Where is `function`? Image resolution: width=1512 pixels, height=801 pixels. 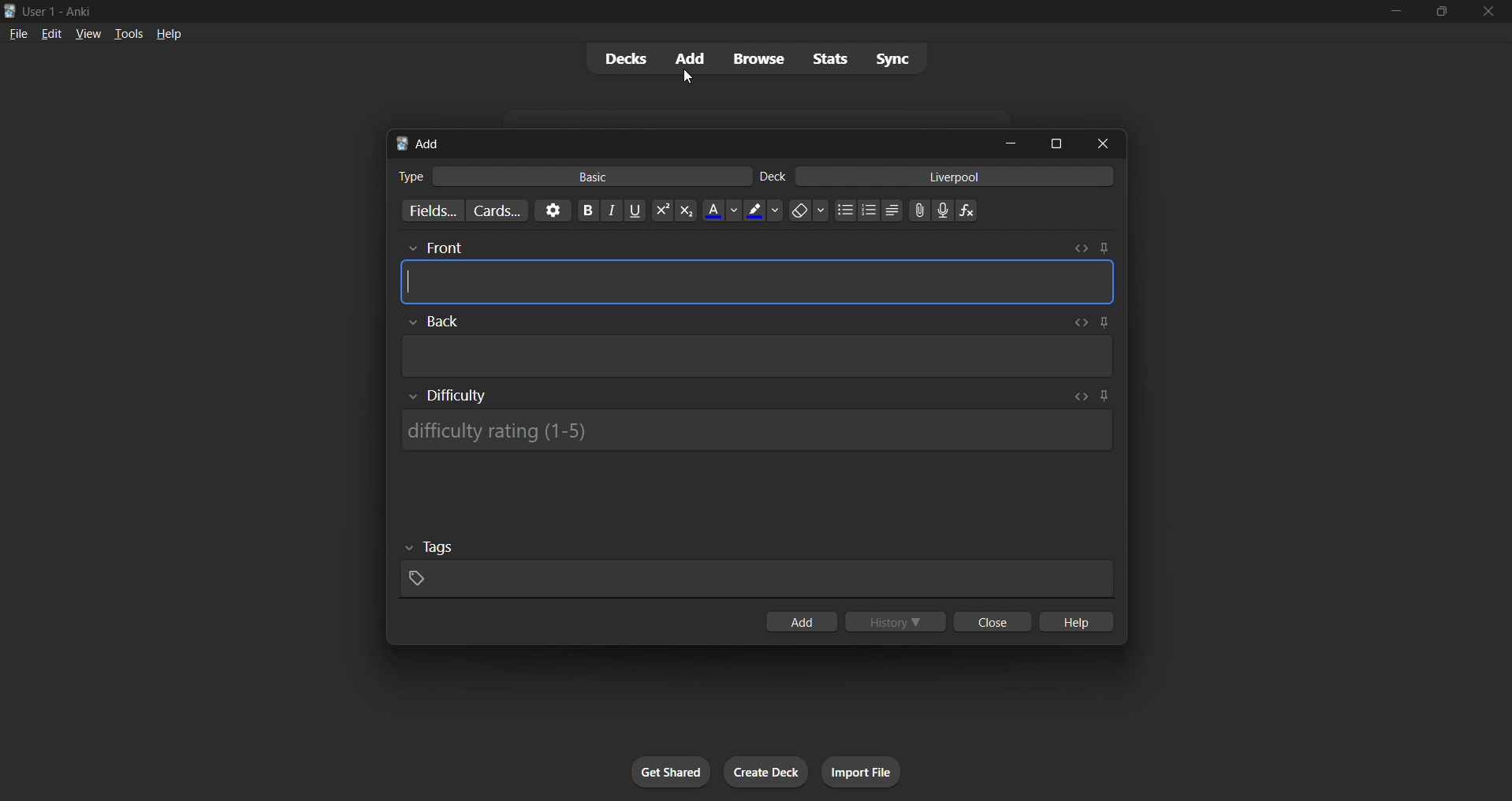
function is located at coordinates (972, 211).